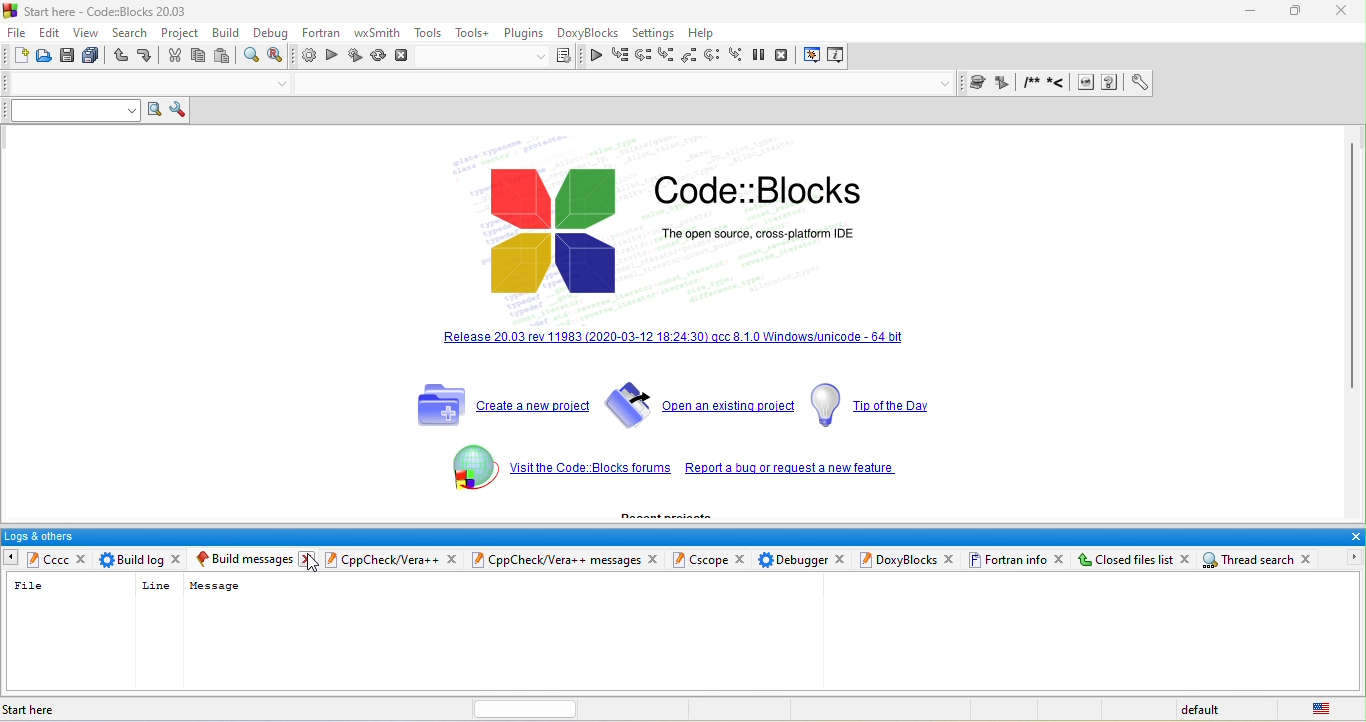 Image resolution: width=1366 pixels, height=722 pixels. Describe the element at coordinates (84, 559) in the screenshot. I see `close` at that location.